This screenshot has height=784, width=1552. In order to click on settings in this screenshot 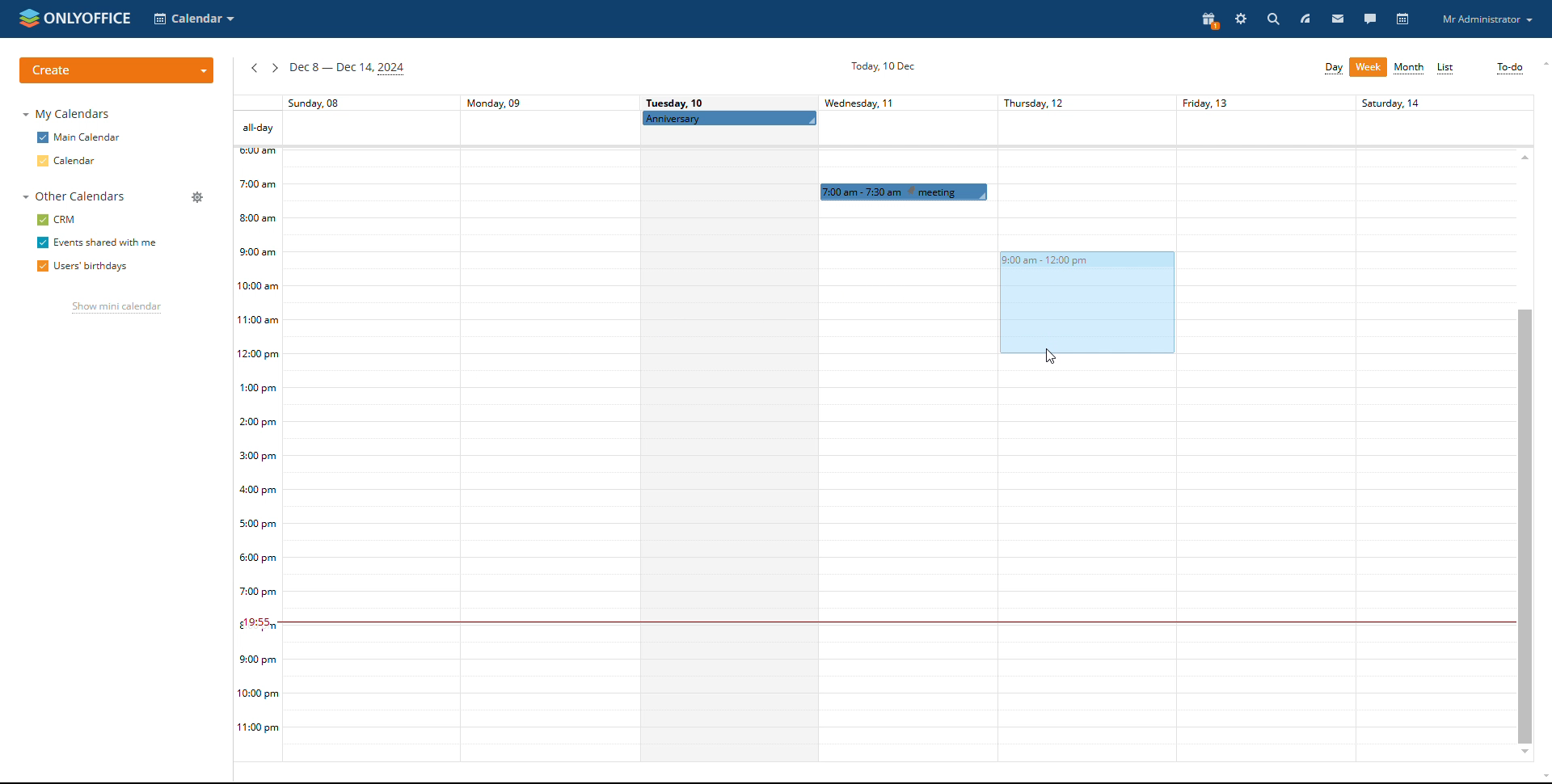, I will do `click(1240, 19)`.